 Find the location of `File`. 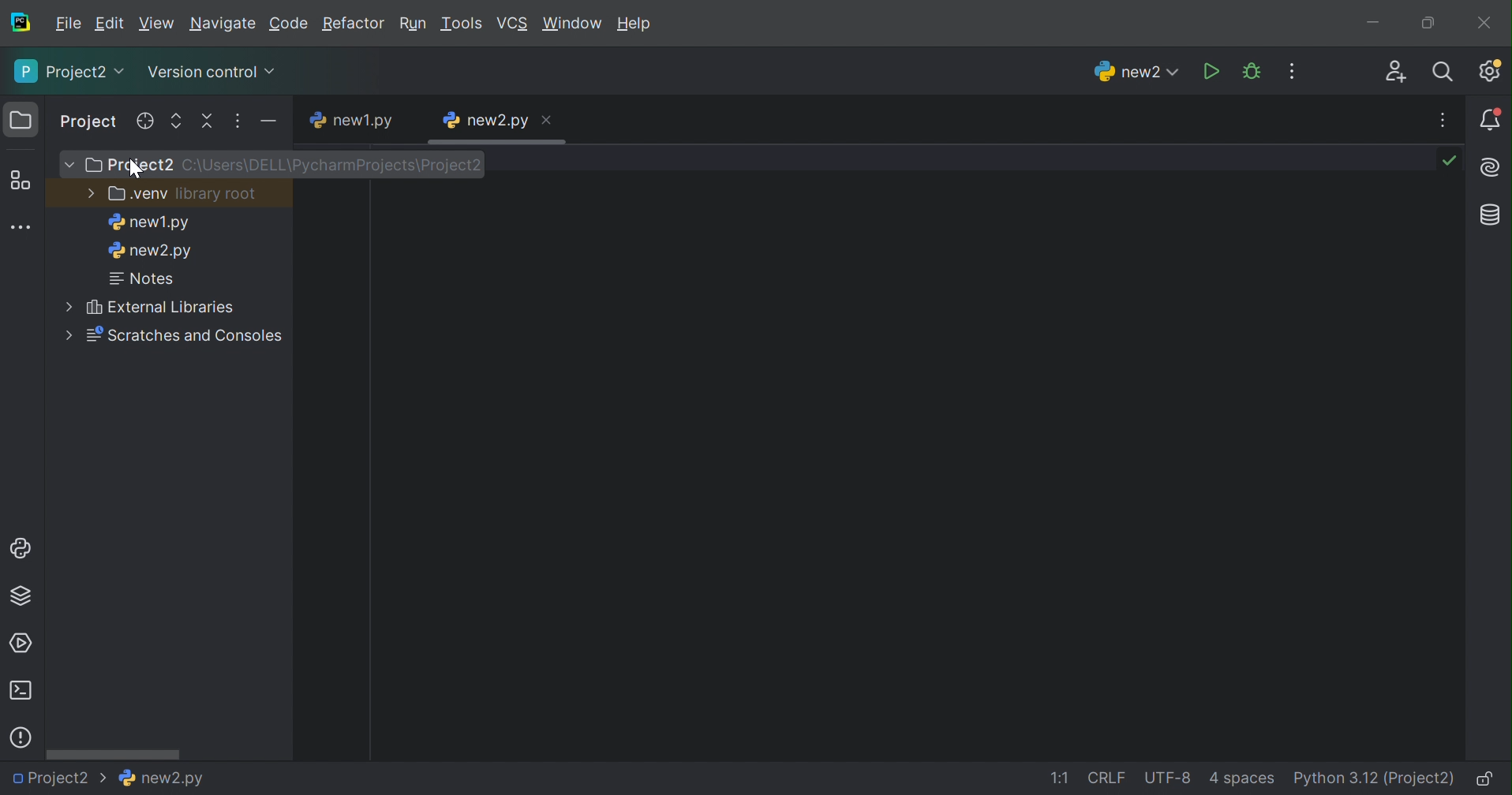

File is located at coordinates (66, 24).